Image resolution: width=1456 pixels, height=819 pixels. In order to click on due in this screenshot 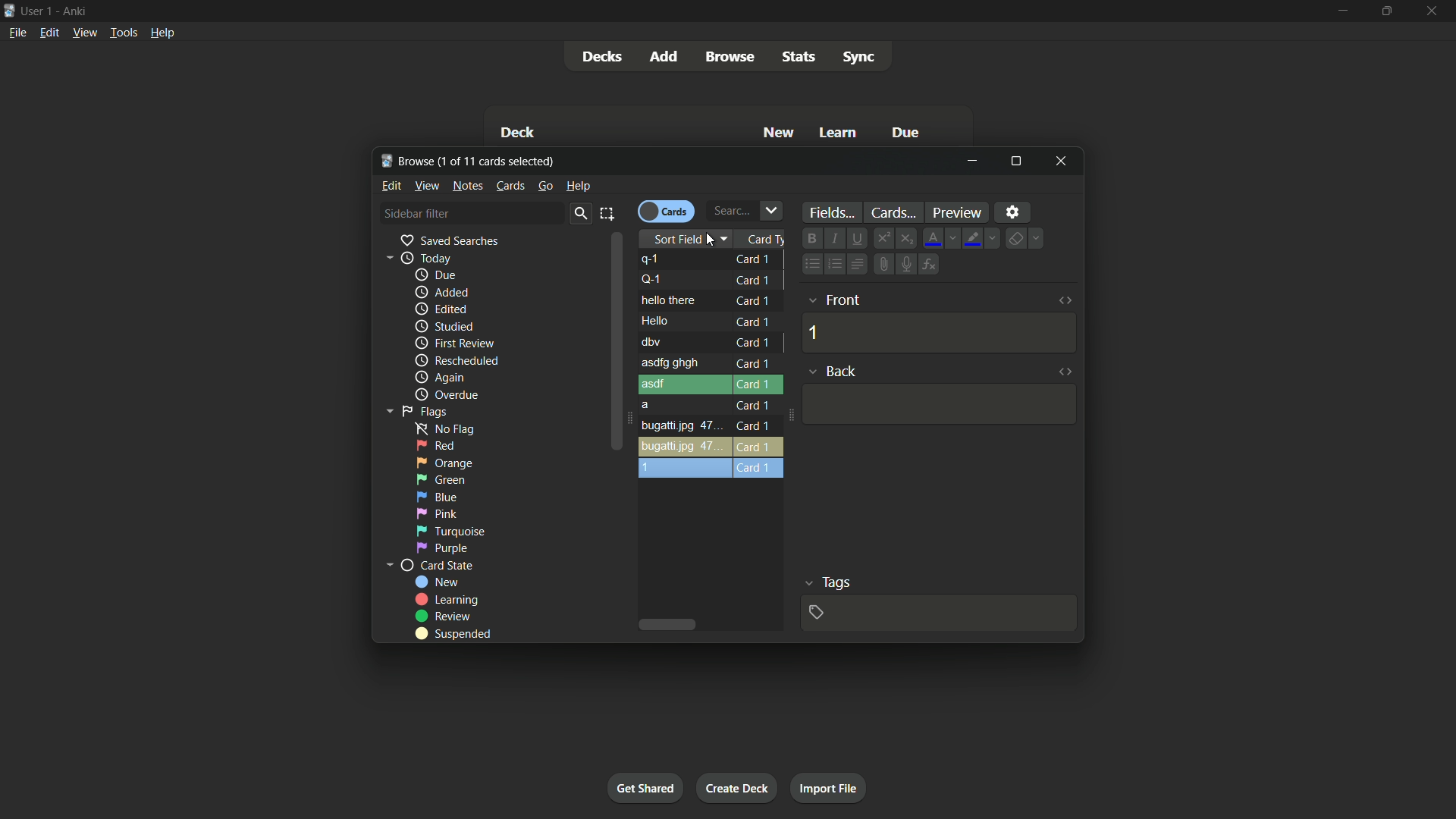, I will do `click(904, 133)`.